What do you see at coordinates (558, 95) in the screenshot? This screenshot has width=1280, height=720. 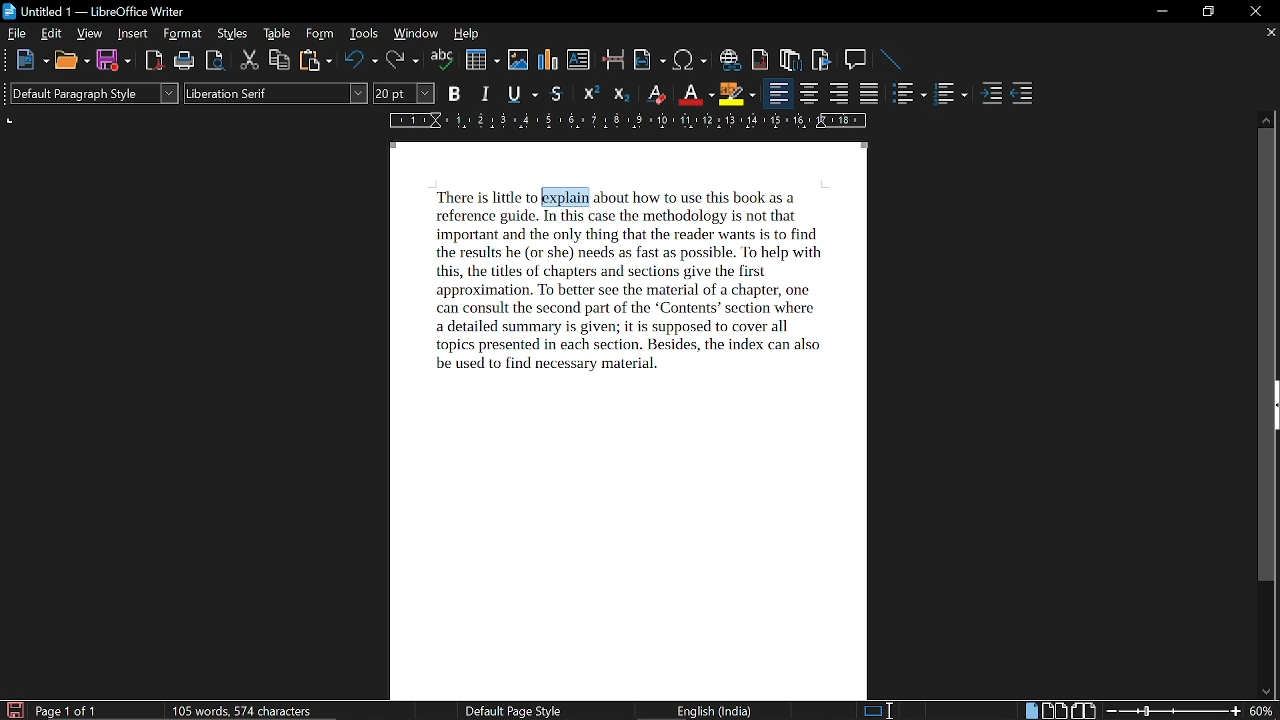 I see `strikethrough` at bounding box center [558, 95].